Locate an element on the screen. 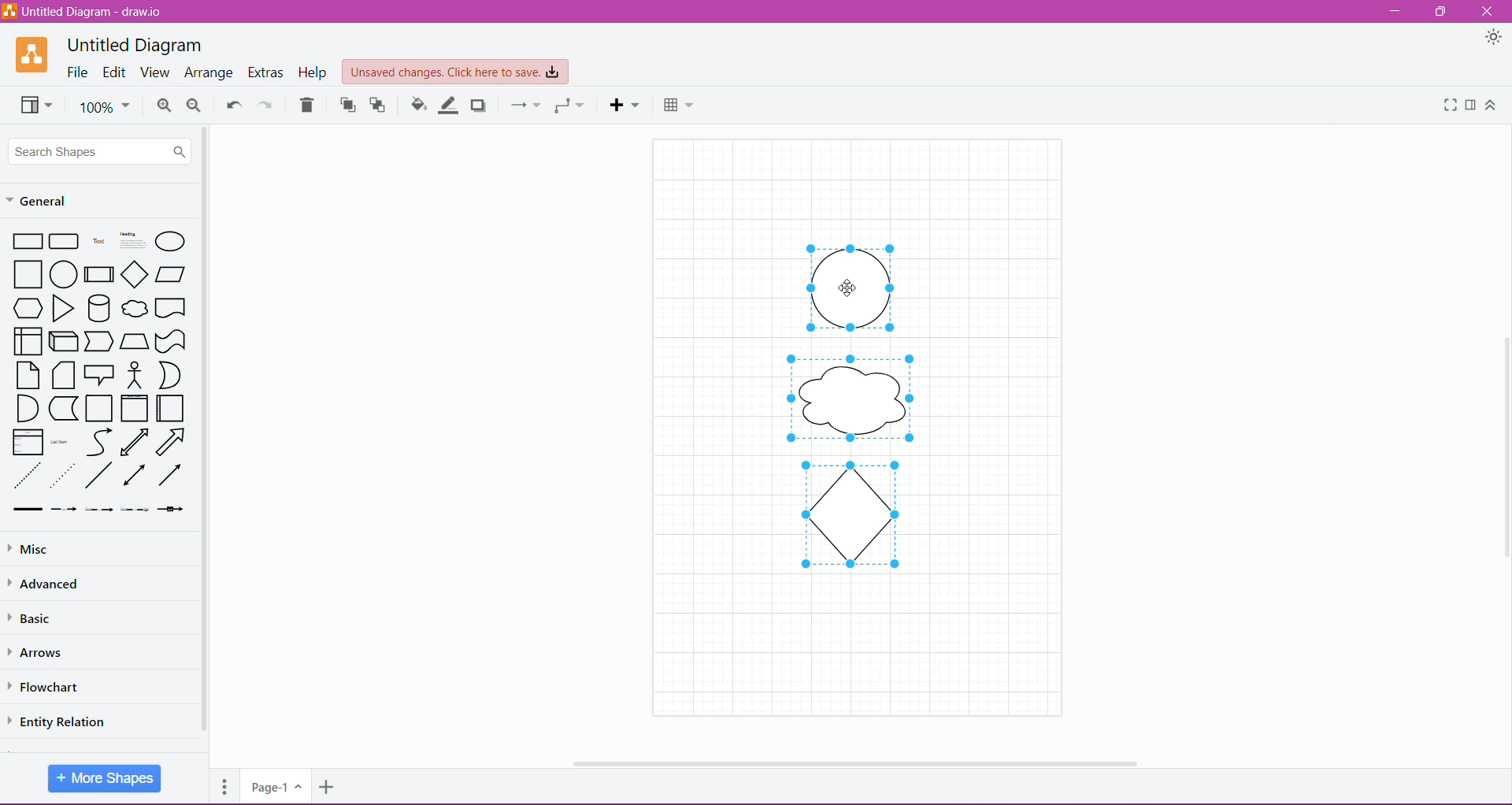 The image size is (1512, 805). Untitled Diagram is located at coordinates (135, 45).